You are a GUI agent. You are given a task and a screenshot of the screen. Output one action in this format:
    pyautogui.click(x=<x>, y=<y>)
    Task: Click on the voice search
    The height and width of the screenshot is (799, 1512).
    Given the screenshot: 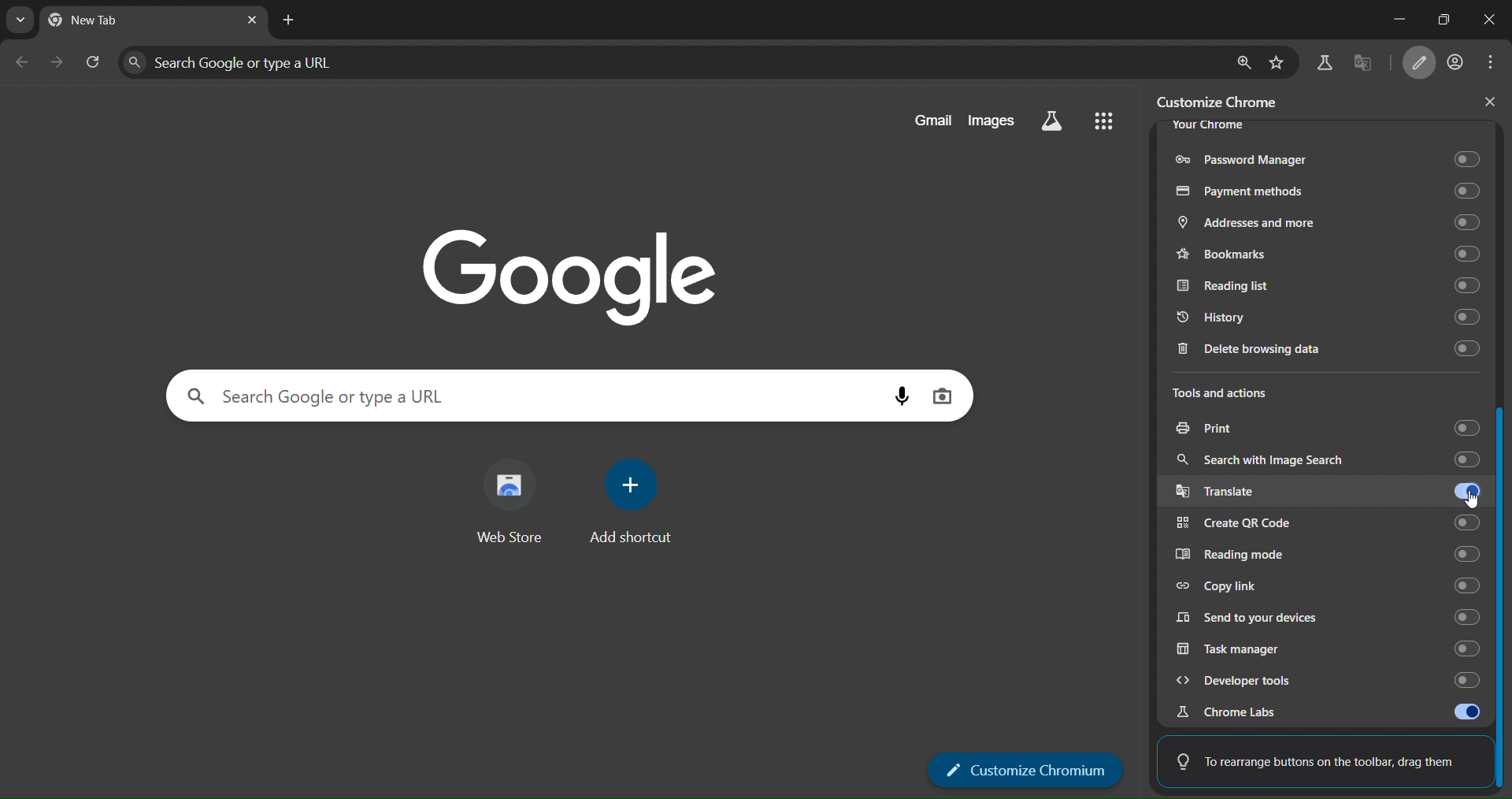 What is the action you would take?
    pyautogui.click(x=894, y=399)
    